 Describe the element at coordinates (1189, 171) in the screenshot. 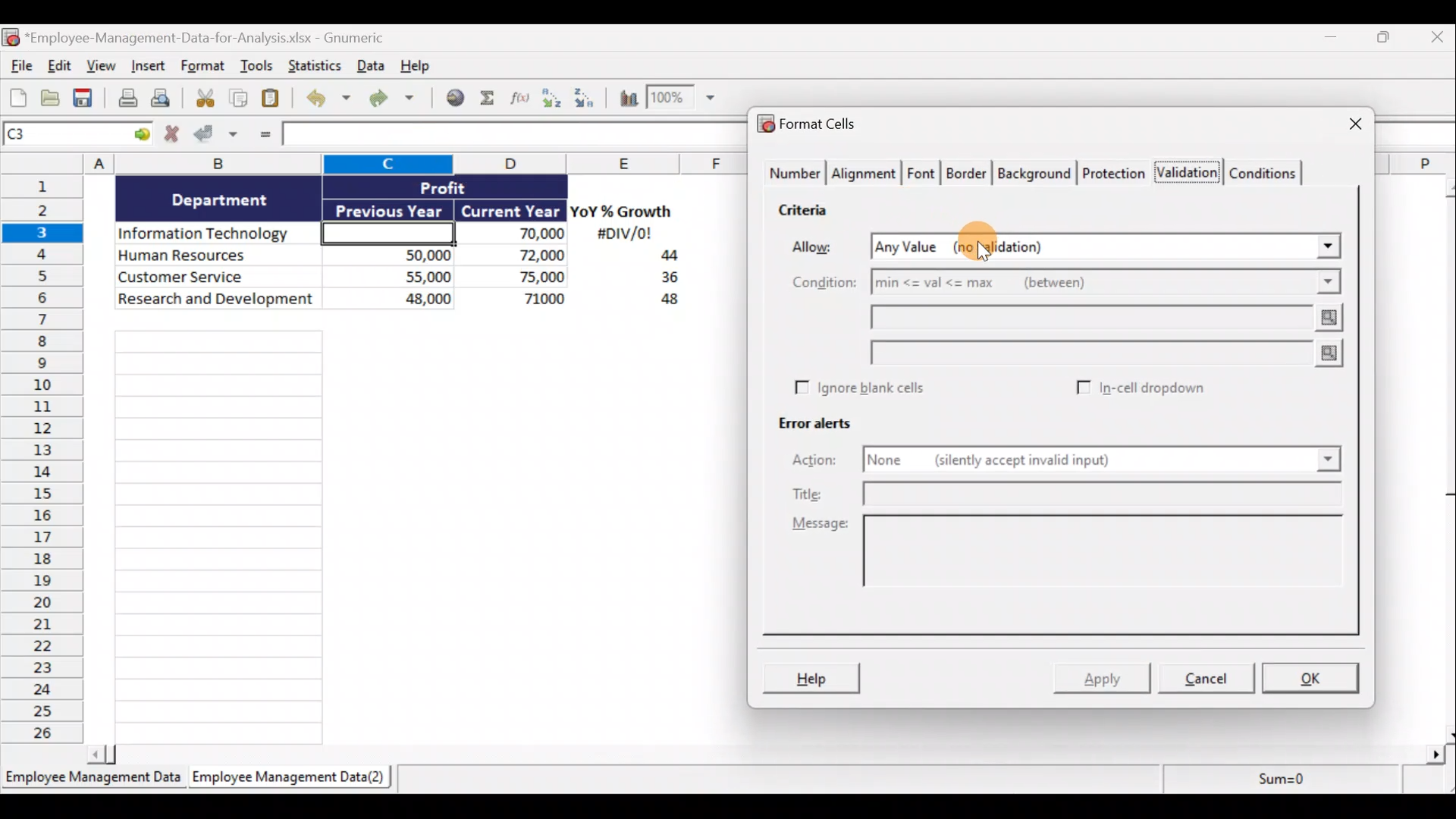

I see `Validation` at that location.